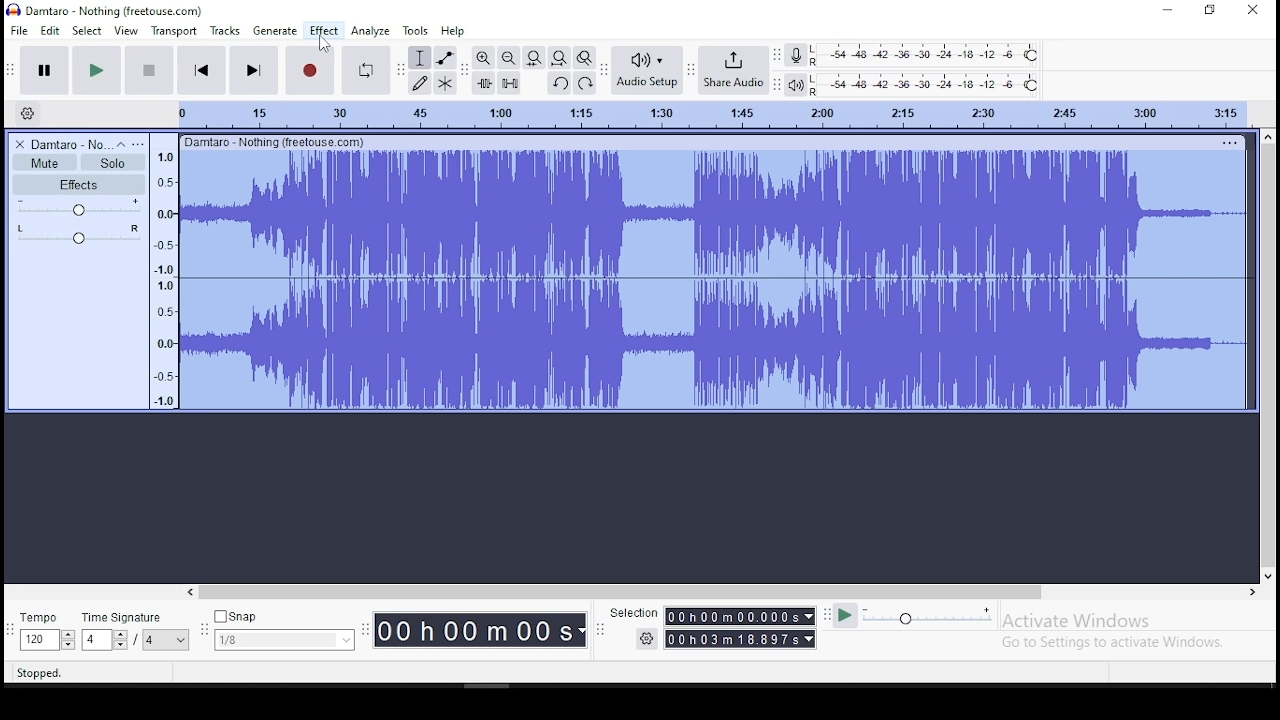 The image size is (1280, 720). I want to click on click and drag to select audio, so click(255, 674).